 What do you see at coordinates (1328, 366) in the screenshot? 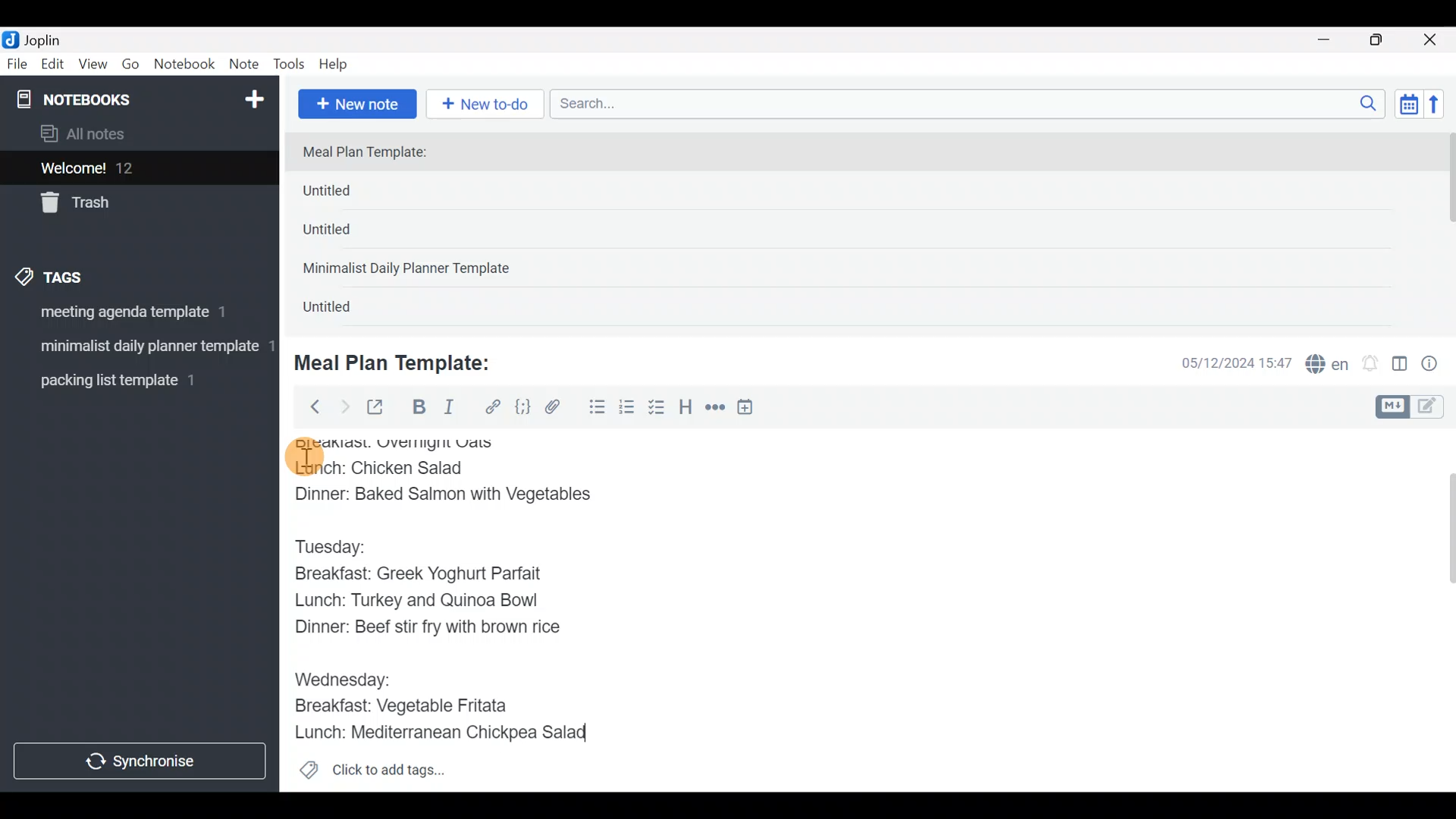
I see `Spelling` at bounding box center [1328, 366].